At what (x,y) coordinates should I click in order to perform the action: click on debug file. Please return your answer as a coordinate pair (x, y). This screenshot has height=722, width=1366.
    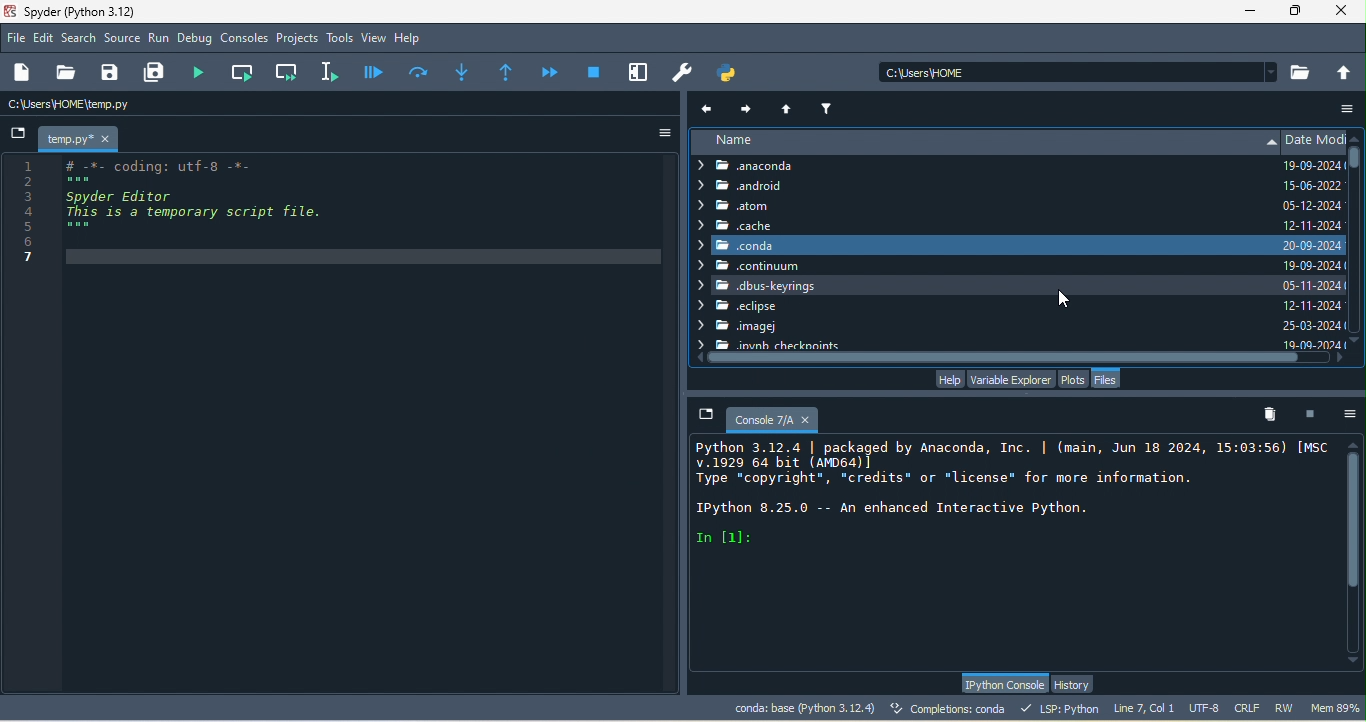
    Looking at the image, I should click on (374, 71).